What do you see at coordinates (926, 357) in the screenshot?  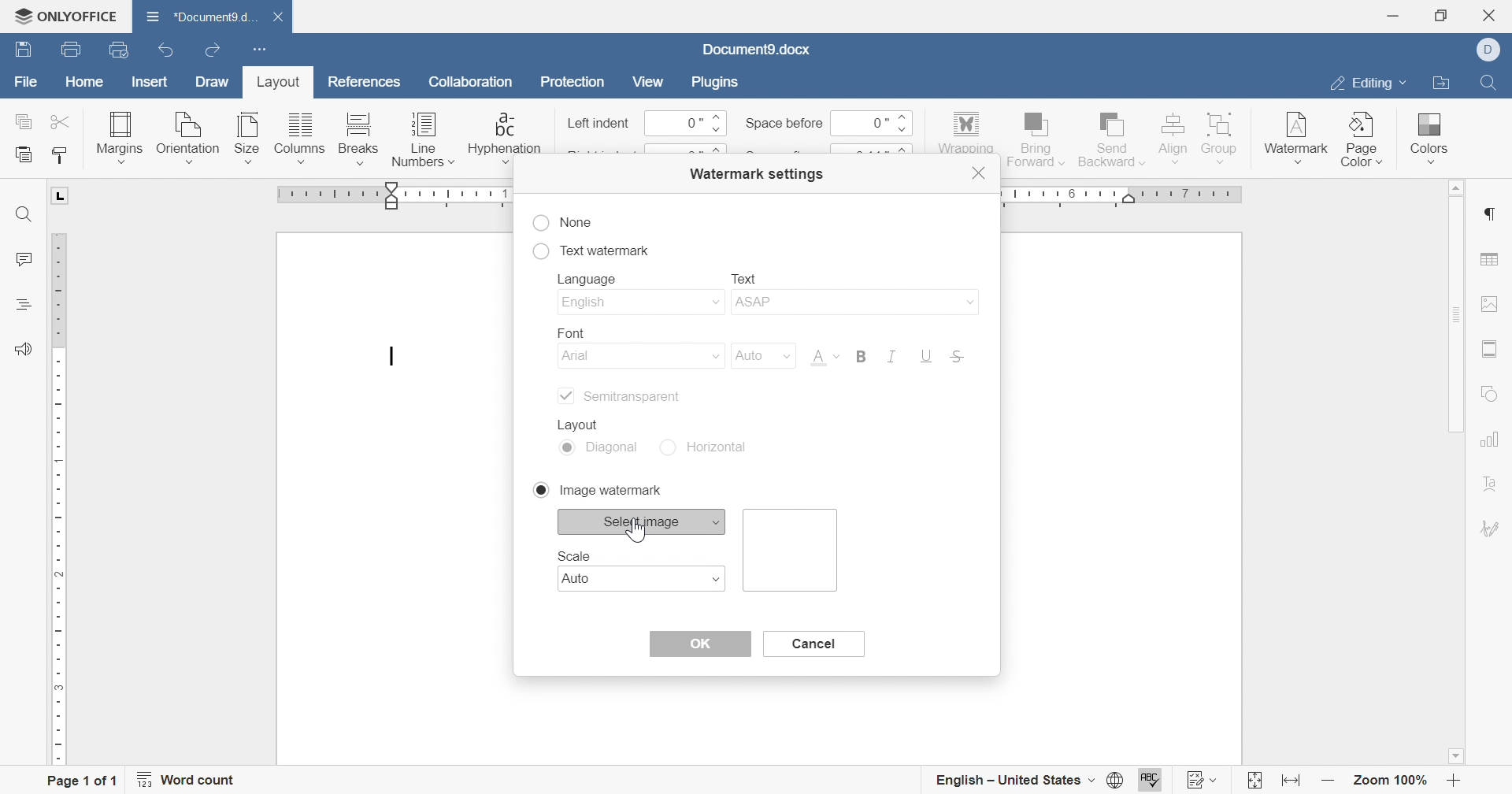 I see `underline` at bounding box center [926, 357].